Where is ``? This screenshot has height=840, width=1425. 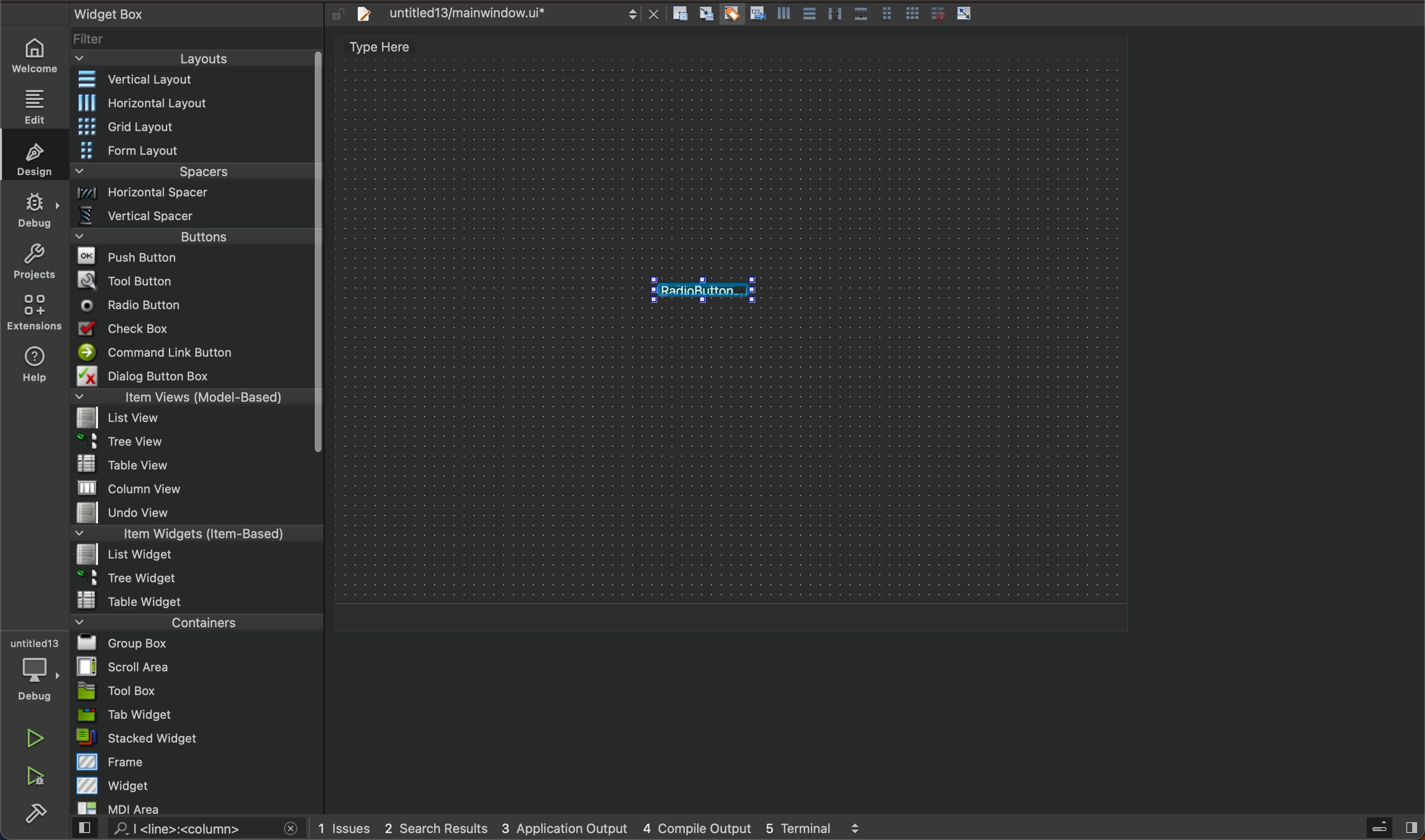  is located at coordinates (913, 15).